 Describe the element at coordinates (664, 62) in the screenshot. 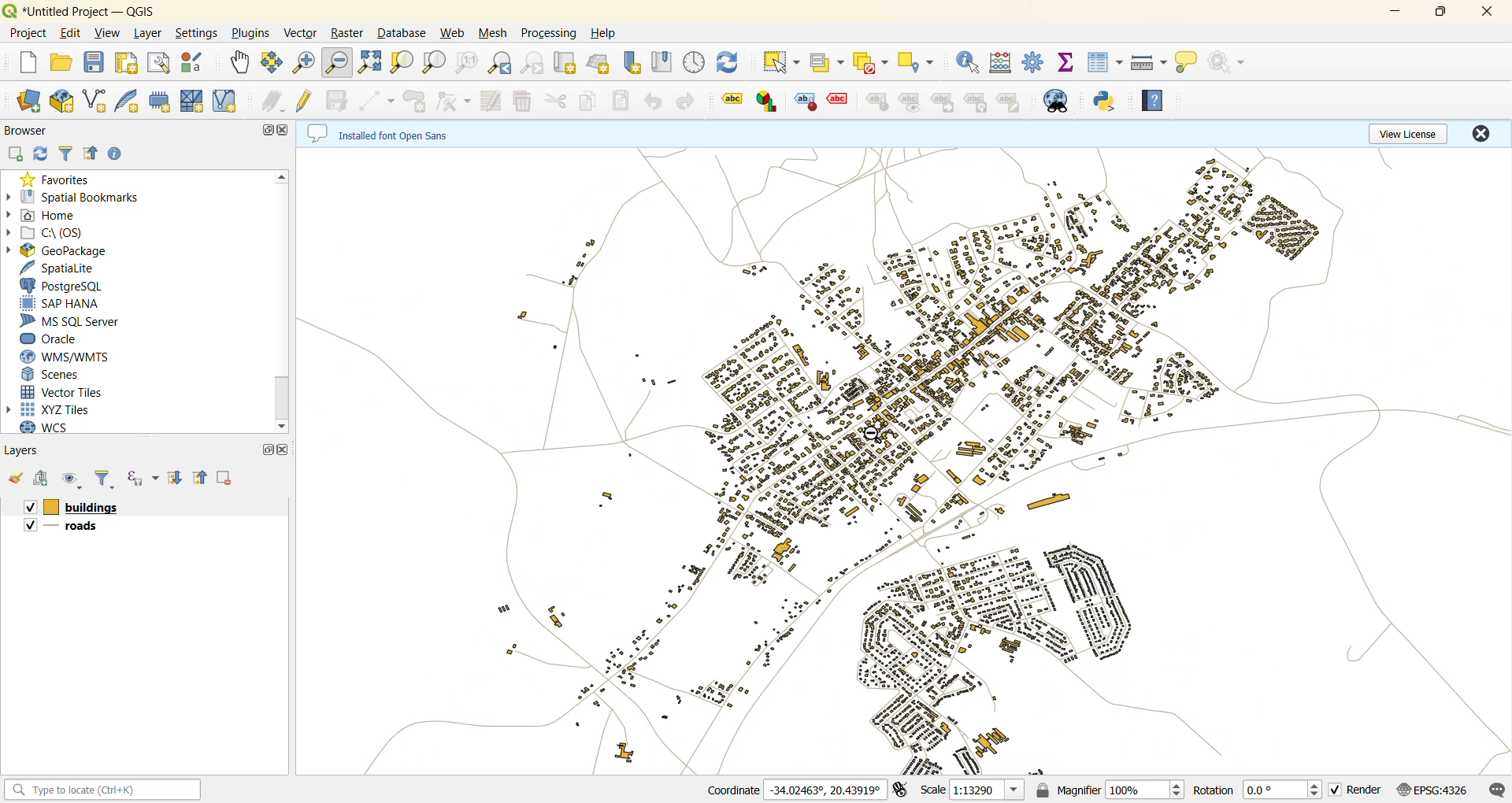

I see `show spatial bookmark` at that location.